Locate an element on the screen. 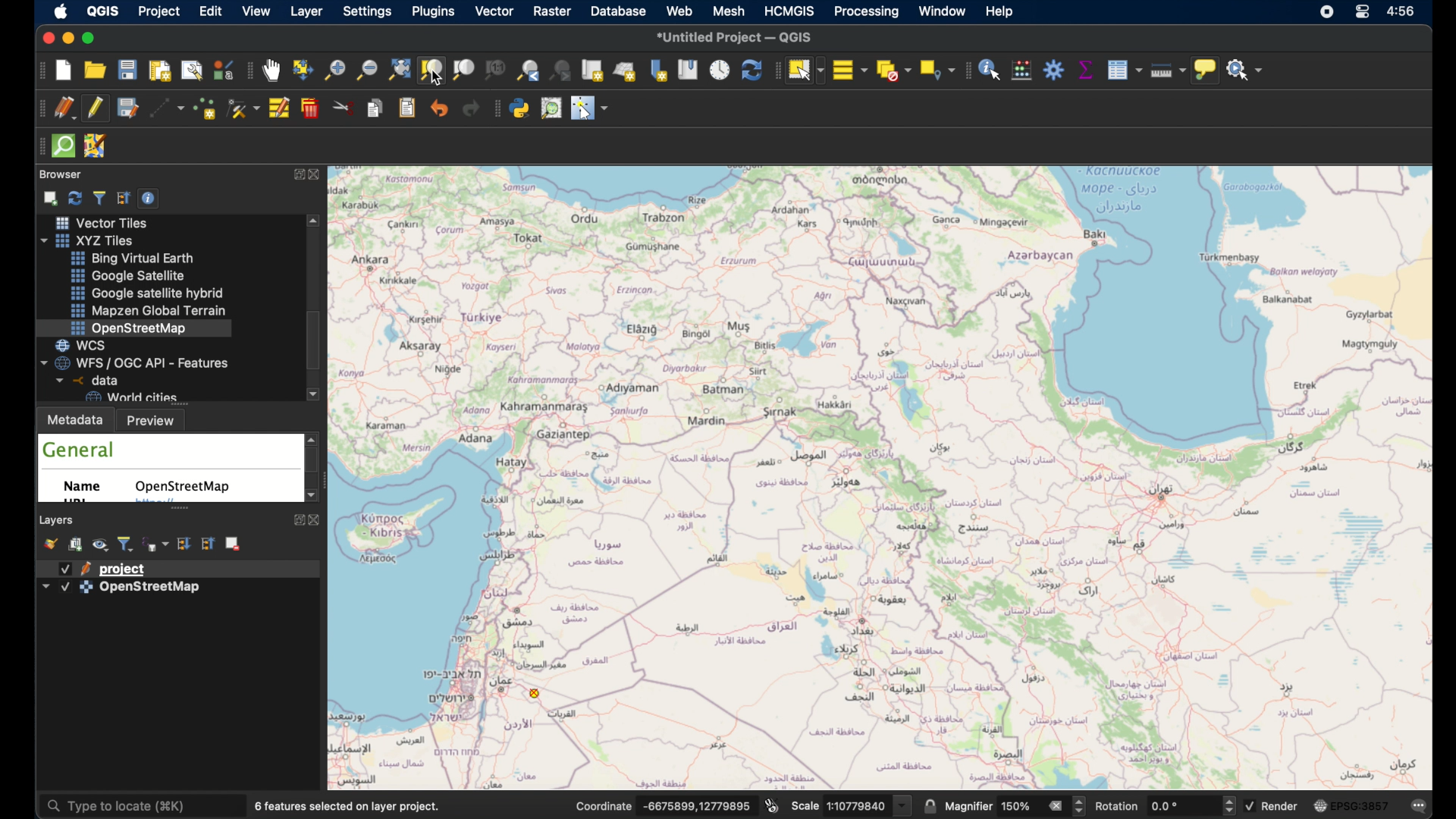 The image size is (1456, 819). rotation is located at coordinates (1119, 806).